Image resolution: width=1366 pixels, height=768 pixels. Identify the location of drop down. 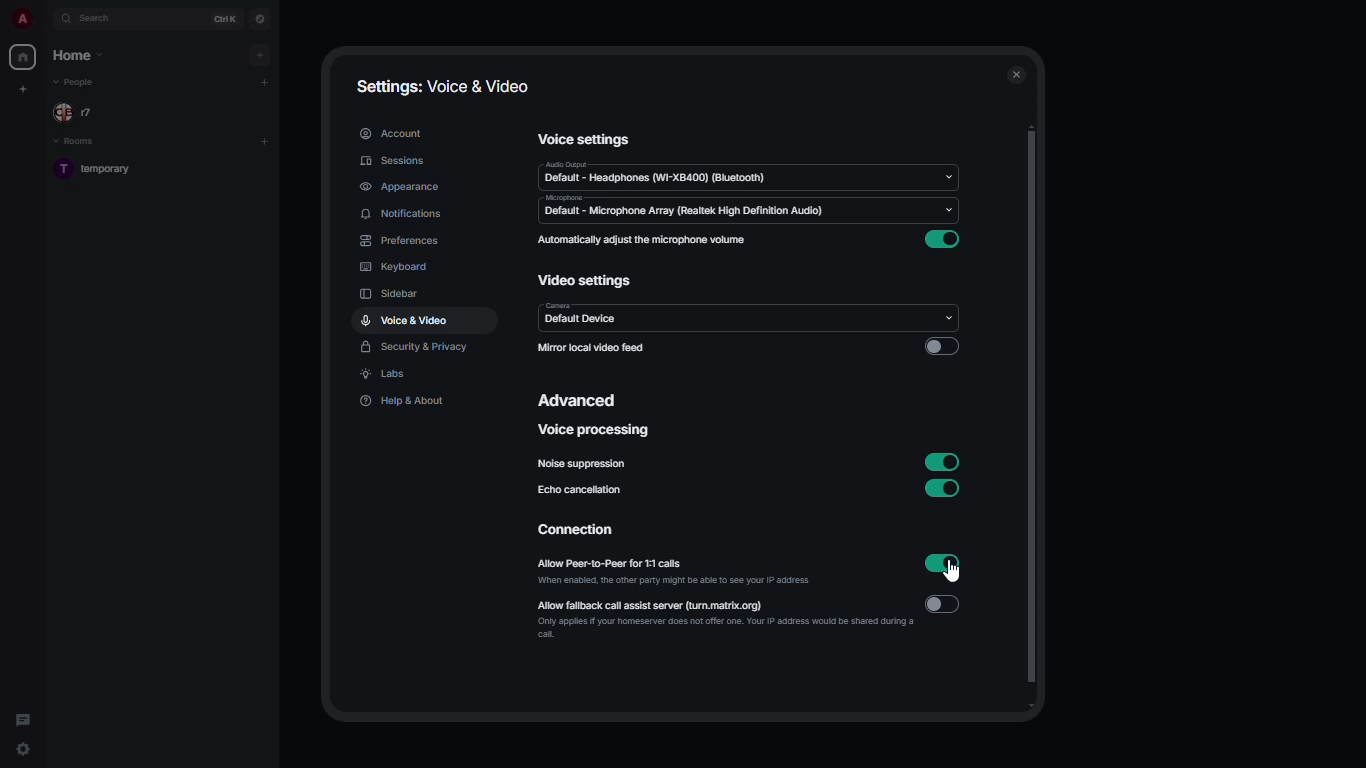
(947, 172).